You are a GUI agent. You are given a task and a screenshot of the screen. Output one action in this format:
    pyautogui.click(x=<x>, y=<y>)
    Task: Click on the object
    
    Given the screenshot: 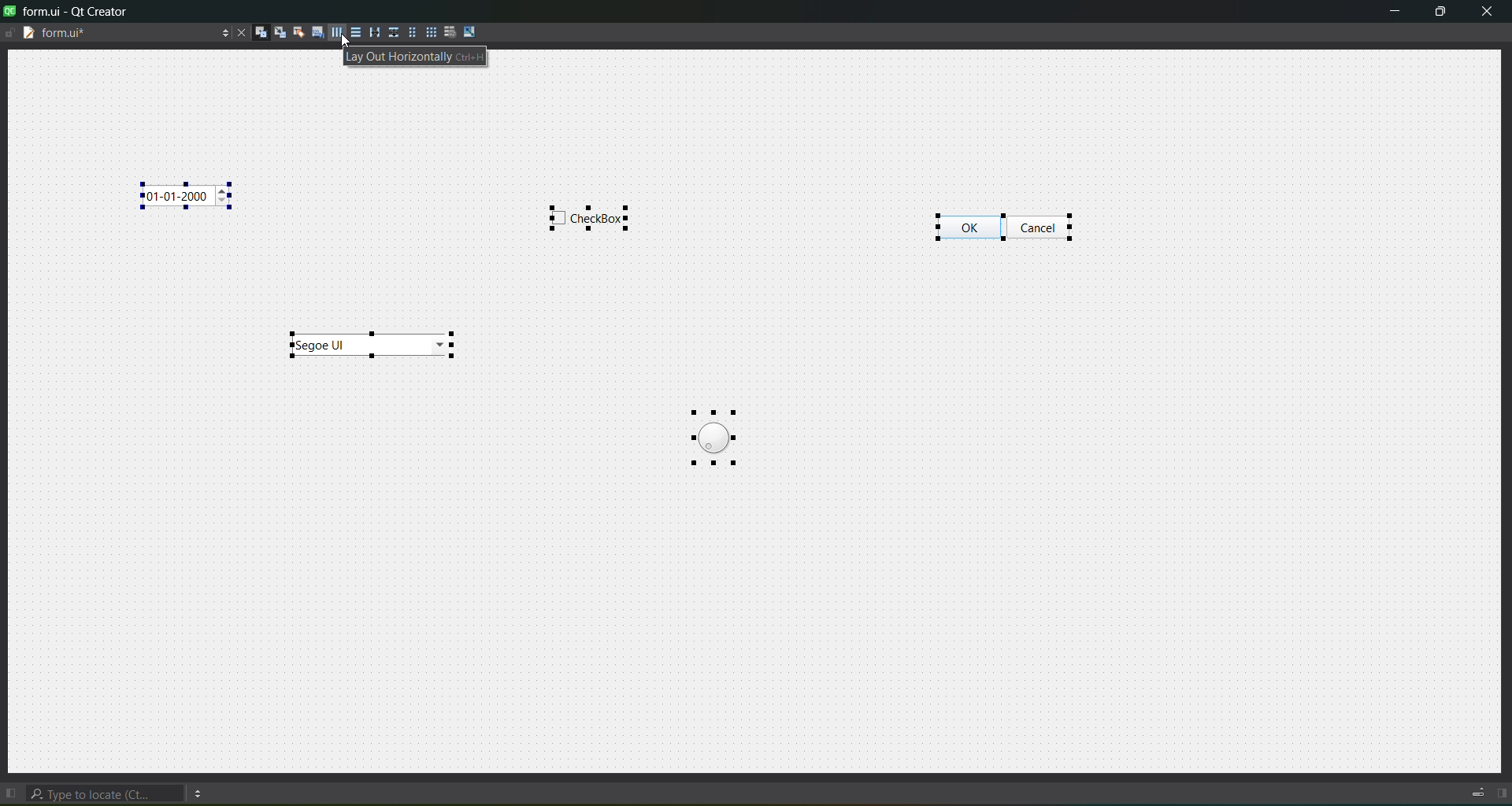 What is the action you would take?
    pyautogui.click(x=589, y=223)
    